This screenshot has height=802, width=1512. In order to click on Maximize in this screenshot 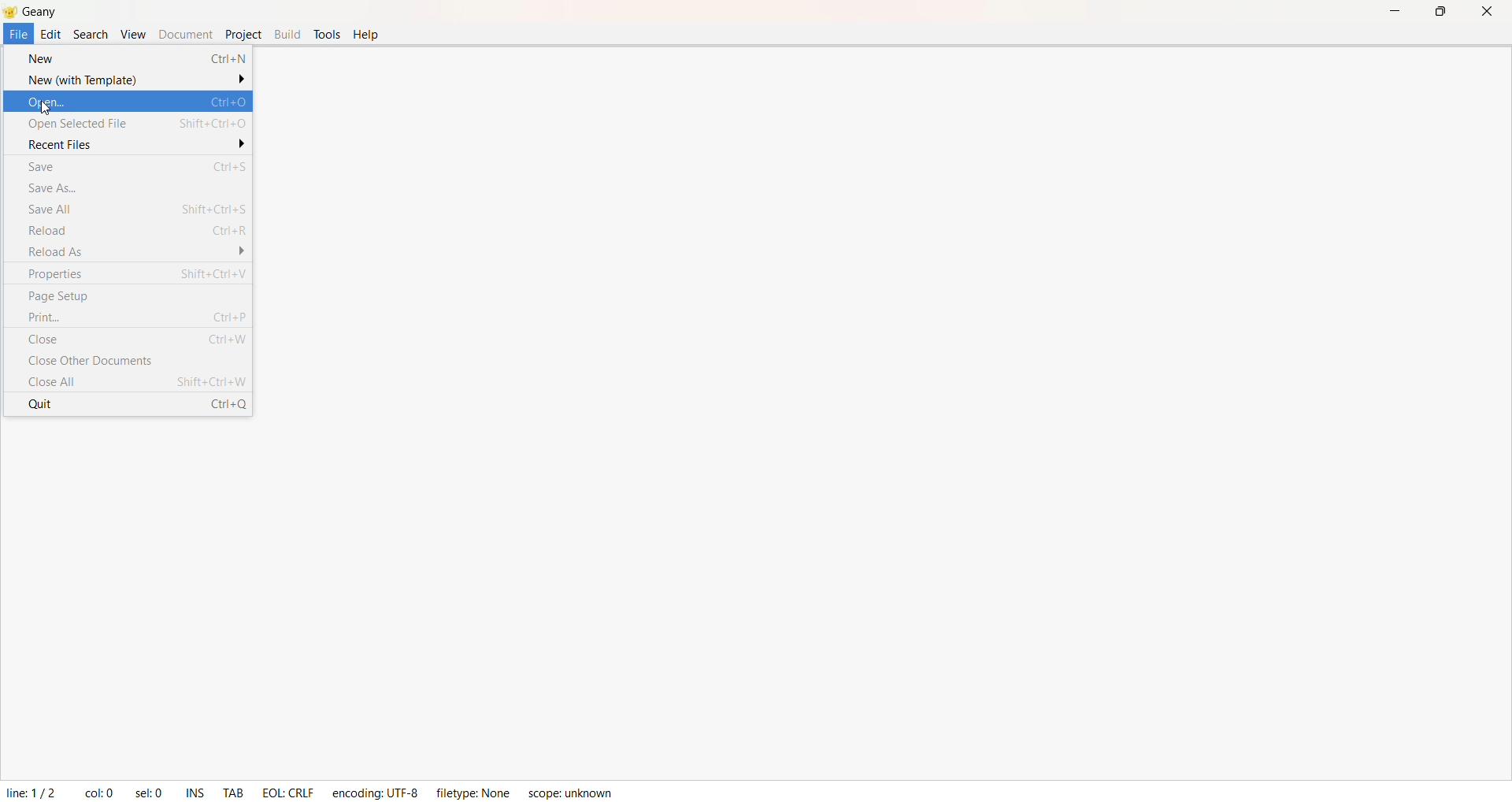, I will do `click(1443, 13)`.